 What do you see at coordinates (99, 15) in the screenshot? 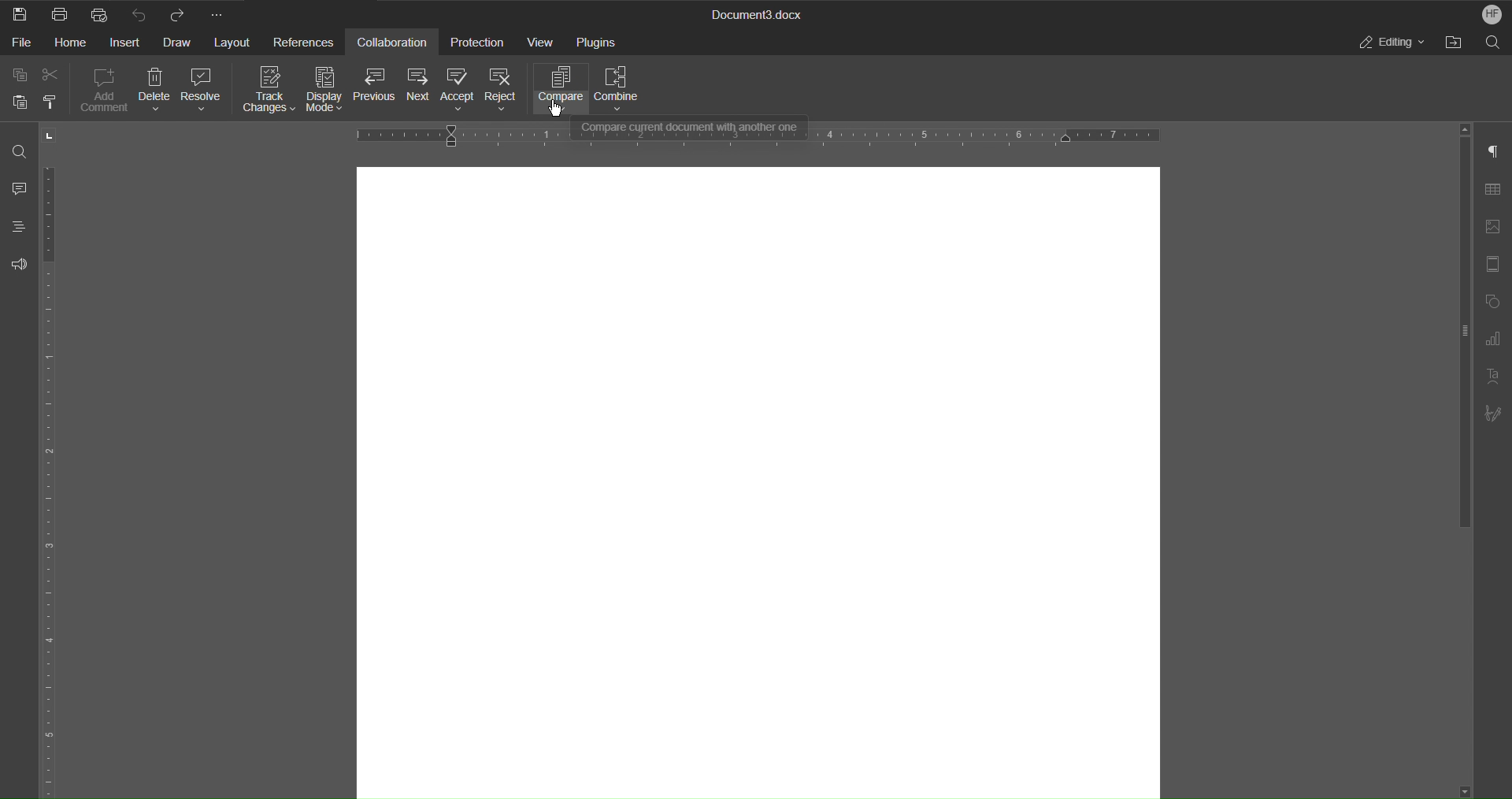
I see `Quick Print` at bounding box center [99, 15].